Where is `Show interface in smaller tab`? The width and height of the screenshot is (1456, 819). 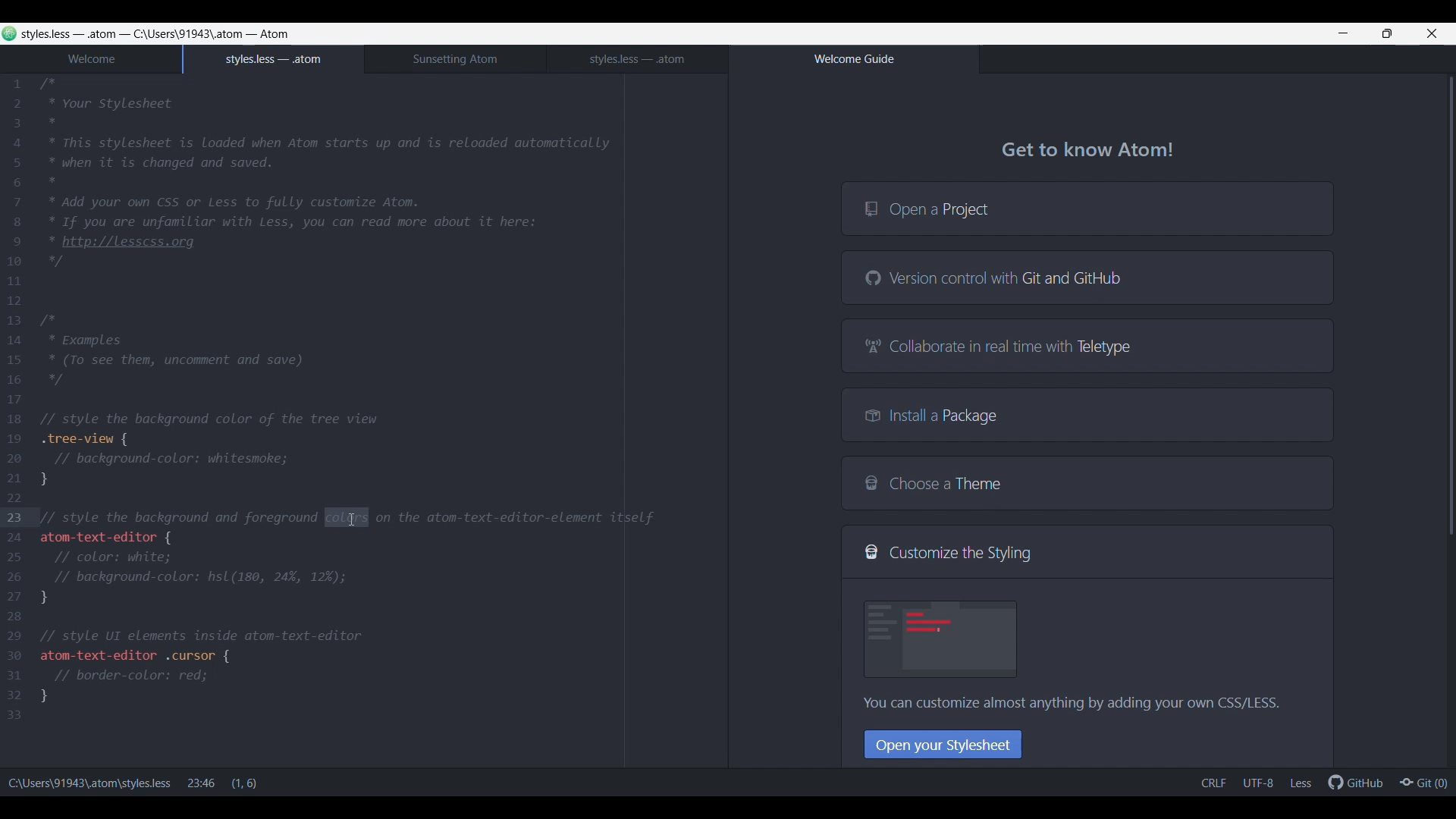
Show interface in smaller tab is located at coordinates (1387, 33).